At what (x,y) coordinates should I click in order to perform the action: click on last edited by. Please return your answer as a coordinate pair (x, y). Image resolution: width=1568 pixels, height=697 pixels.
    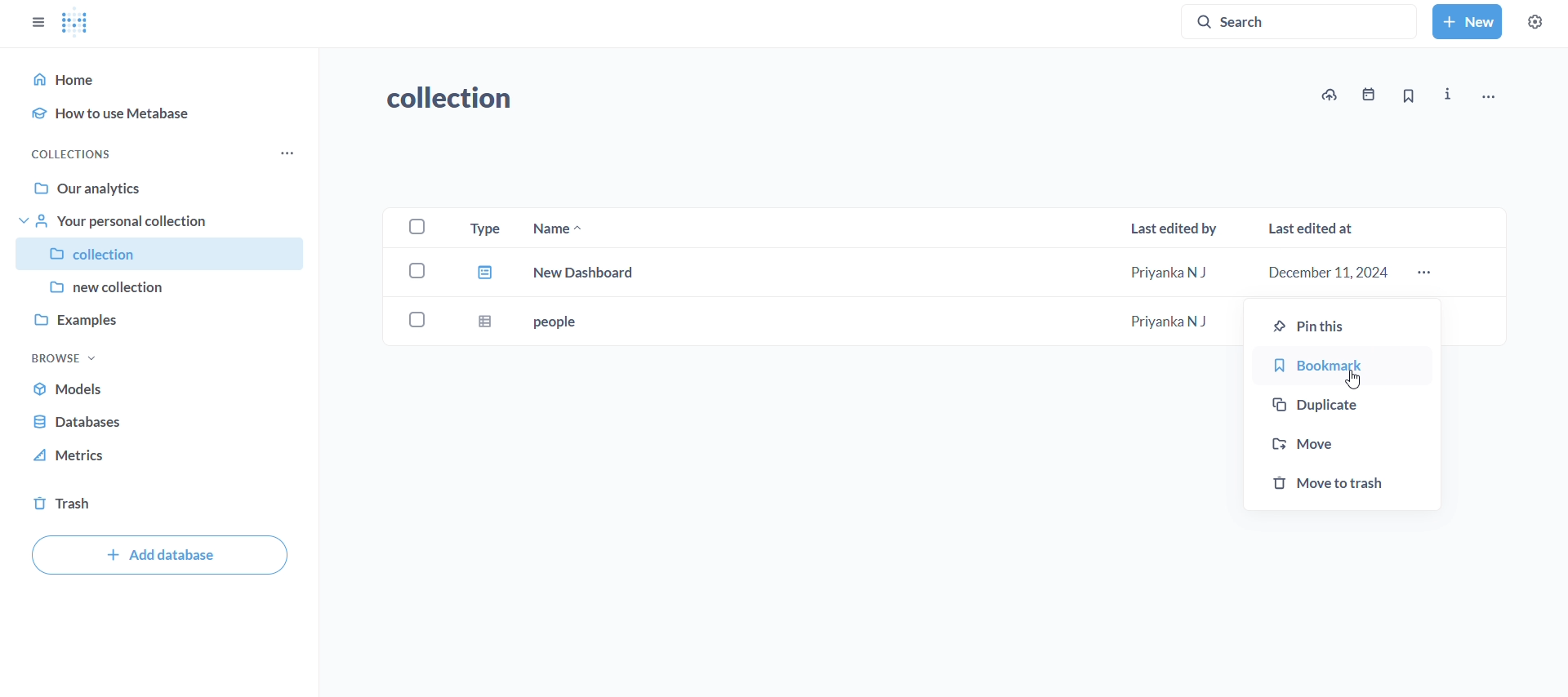
    Looking at the image, I should click on (1174, 226).